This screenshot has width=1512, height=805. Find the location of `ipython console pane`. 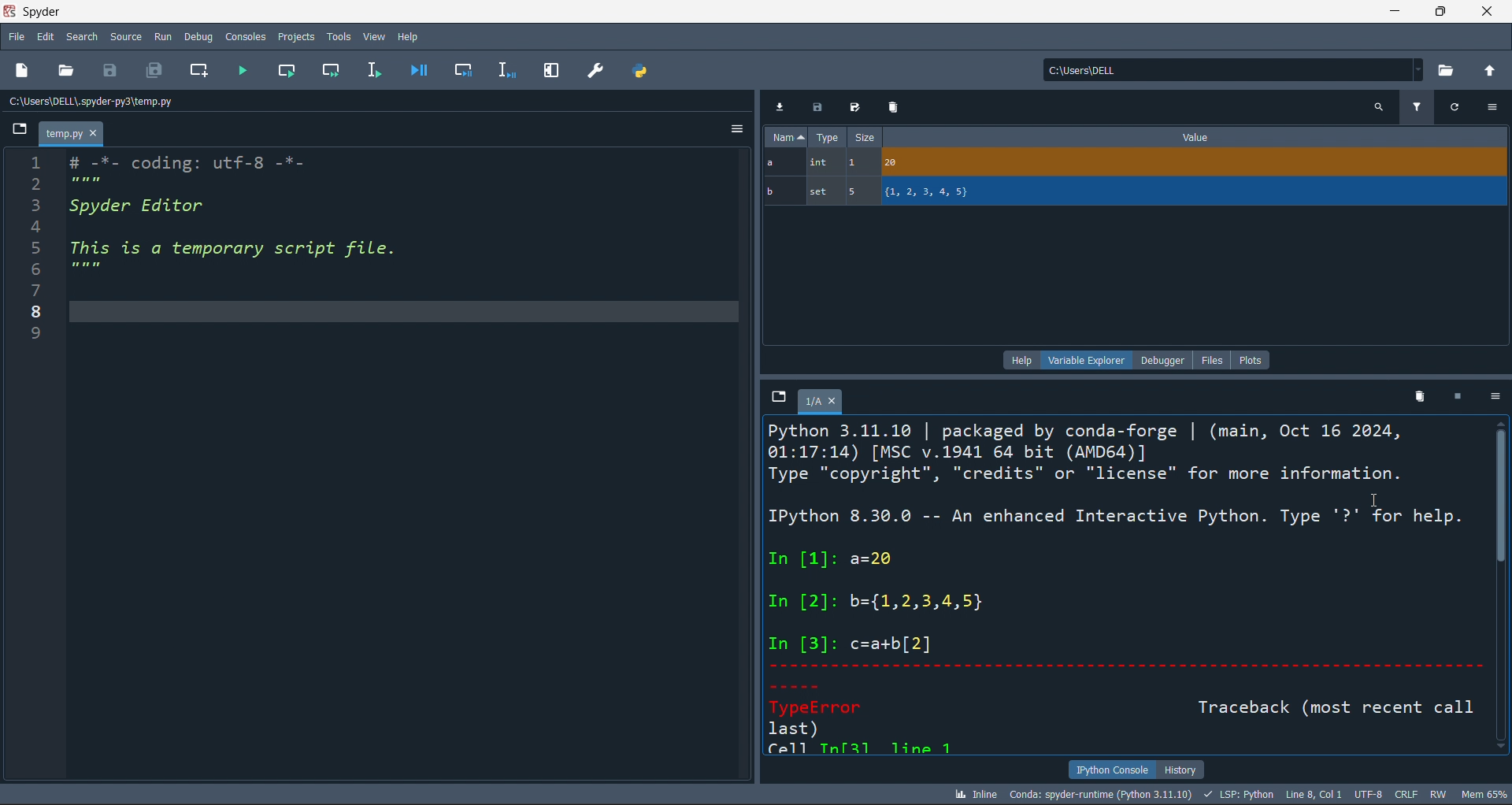

ipython console pane is located at coordinates (1126, 587).